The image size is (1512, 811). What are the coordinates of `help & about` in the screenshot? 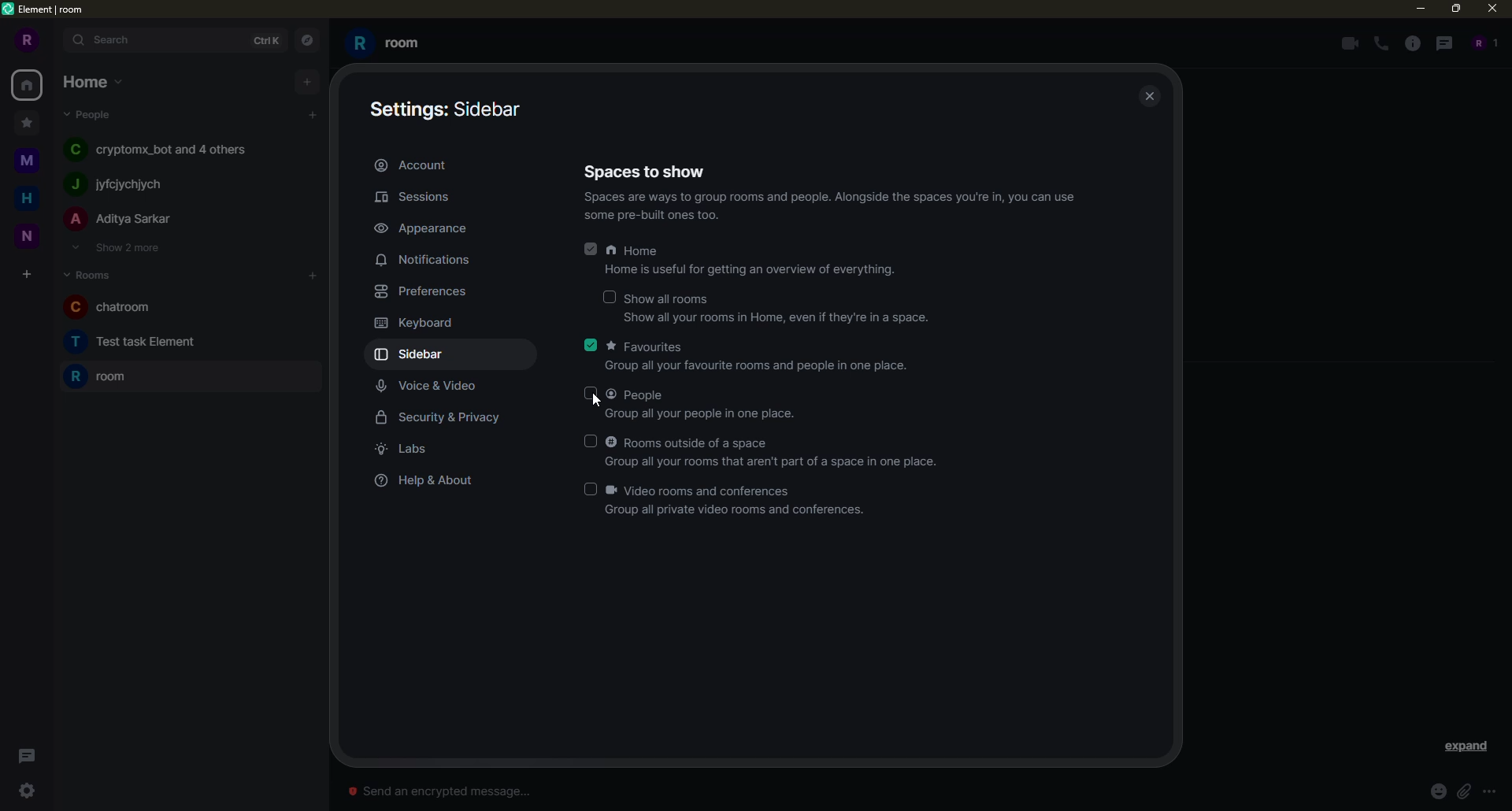 It's located at (423, 481).